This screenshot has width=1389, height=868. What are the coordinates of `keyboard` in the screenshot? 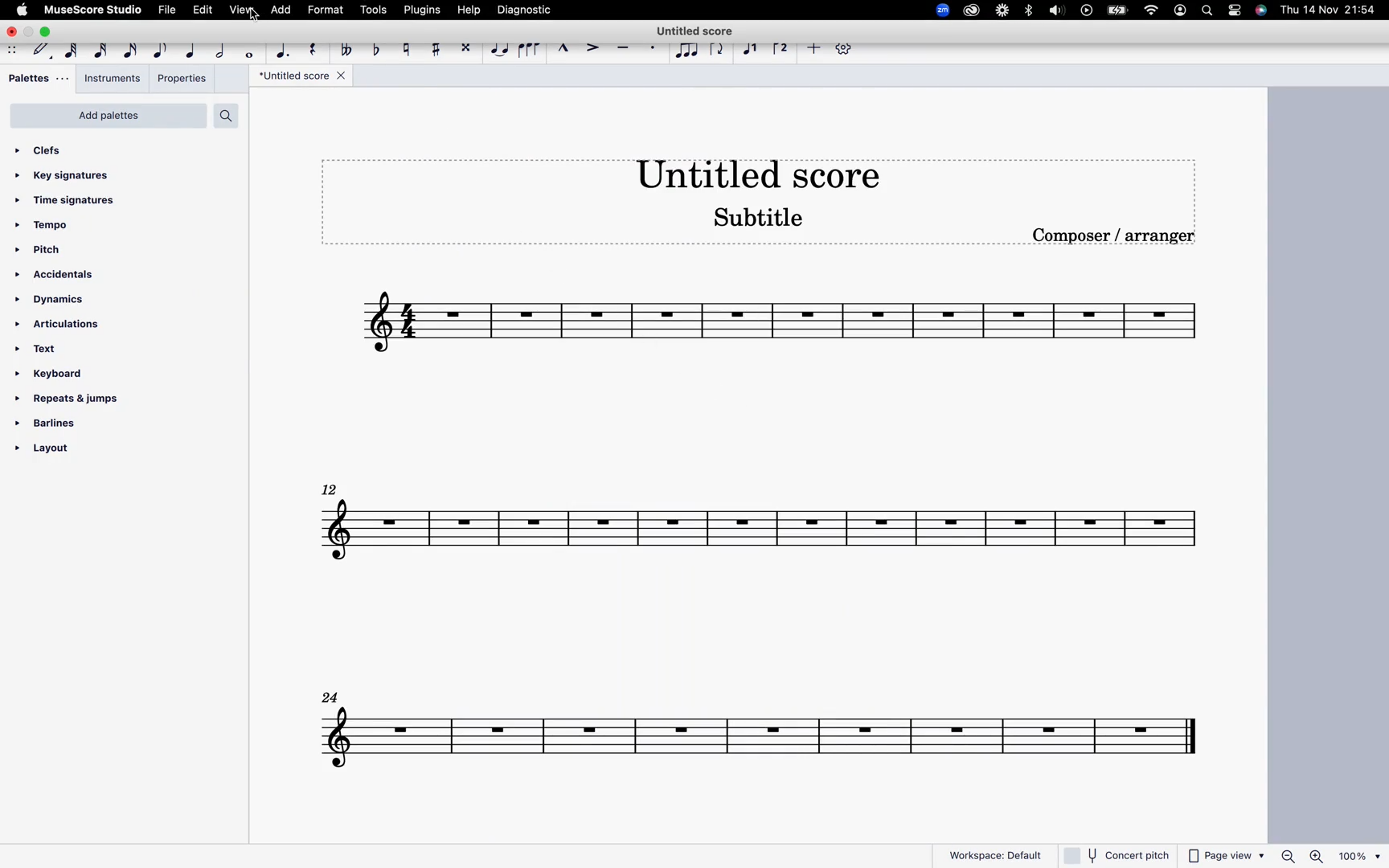 It's located at (64, 373).